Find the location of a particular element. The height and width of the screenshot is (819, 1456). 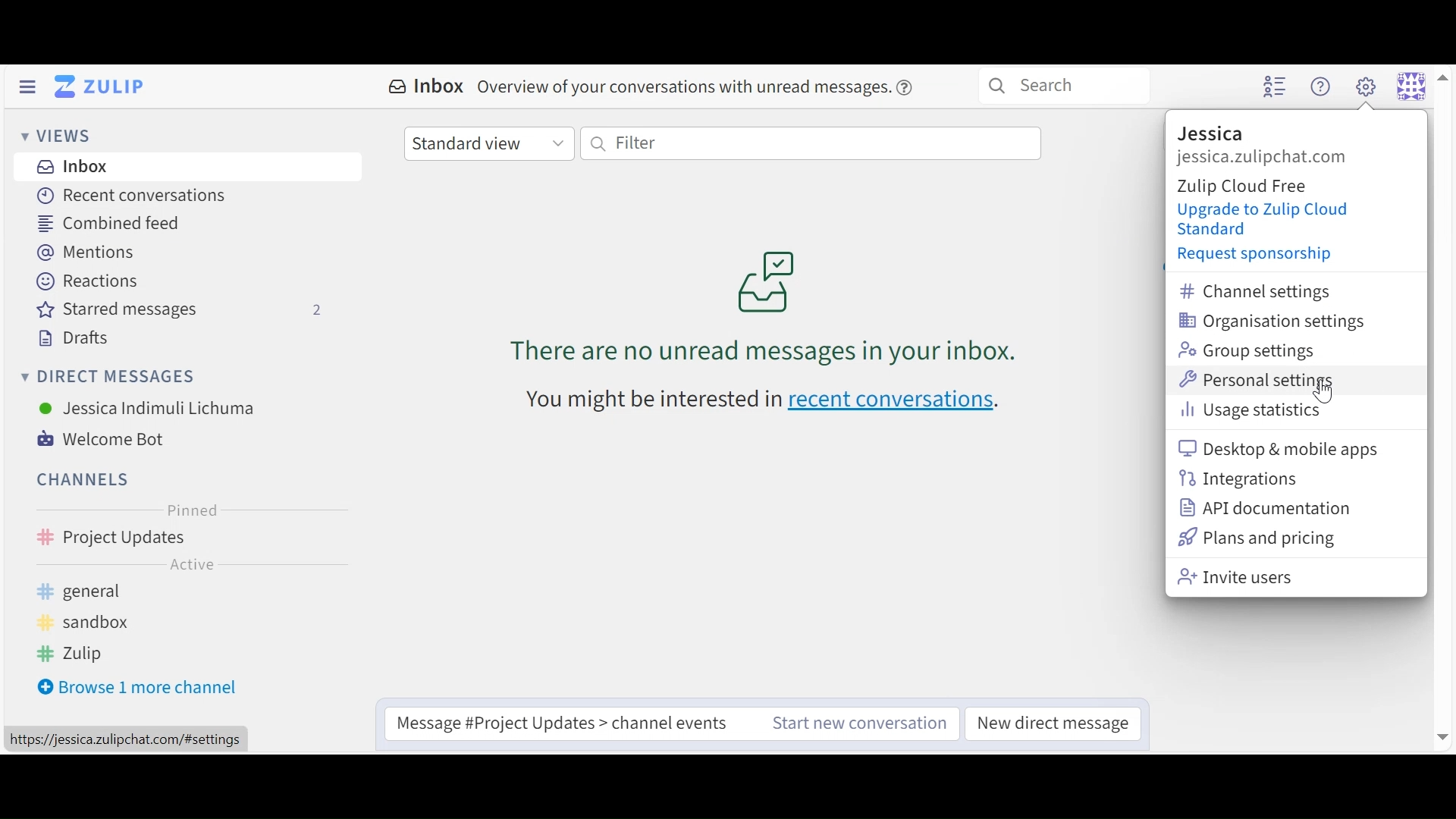

Compose message is located at coordinates (566, 724).